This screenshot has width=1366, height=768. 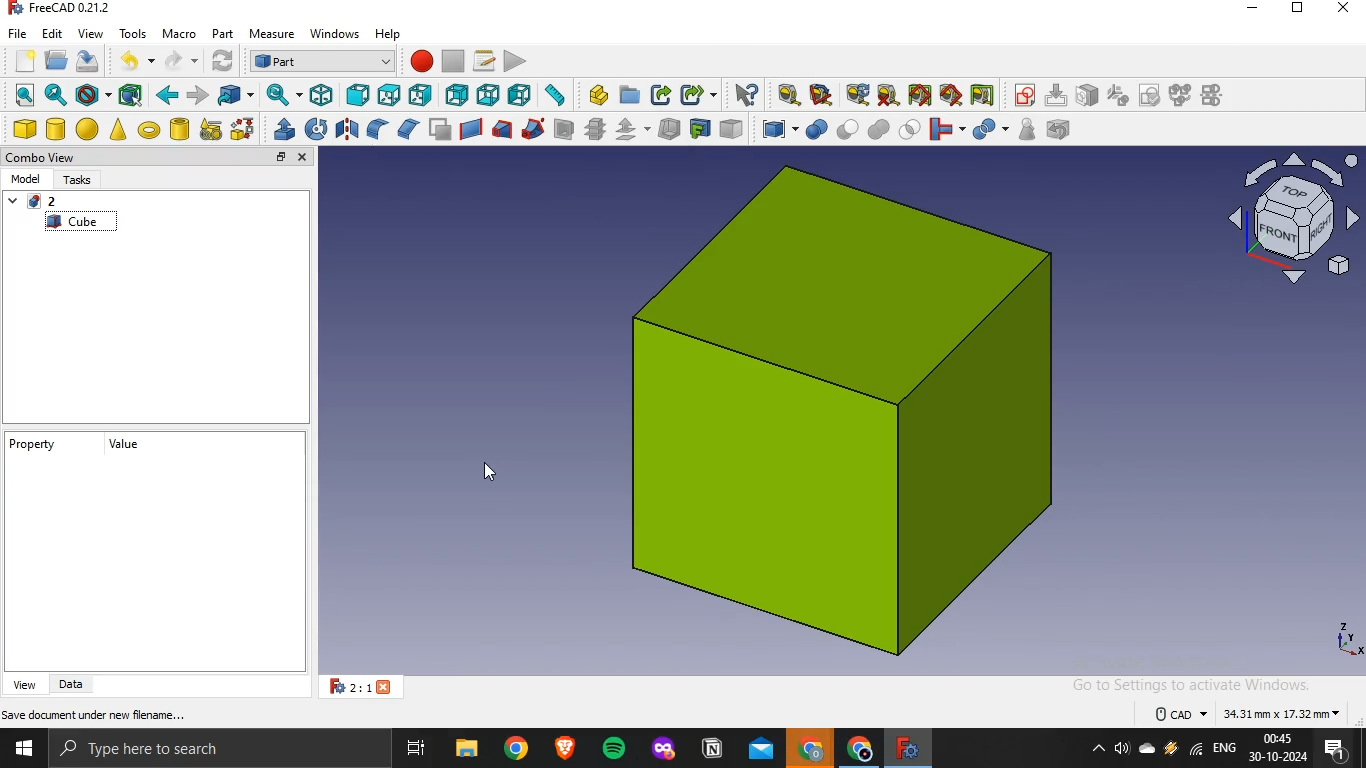 I want to click on task view, so click(x=420, y=749).